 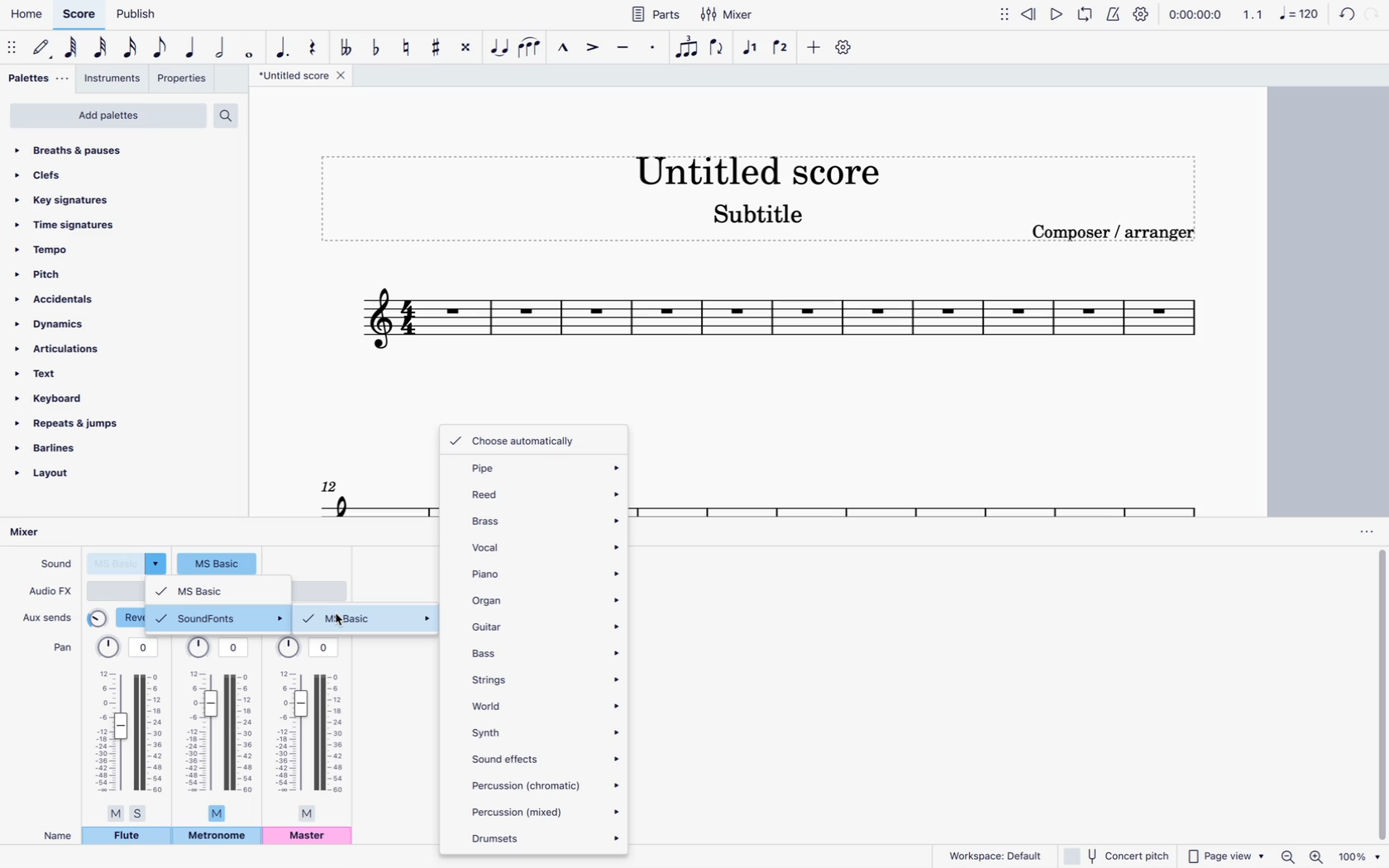 I want to click on strings, so click(x=544, y=678).